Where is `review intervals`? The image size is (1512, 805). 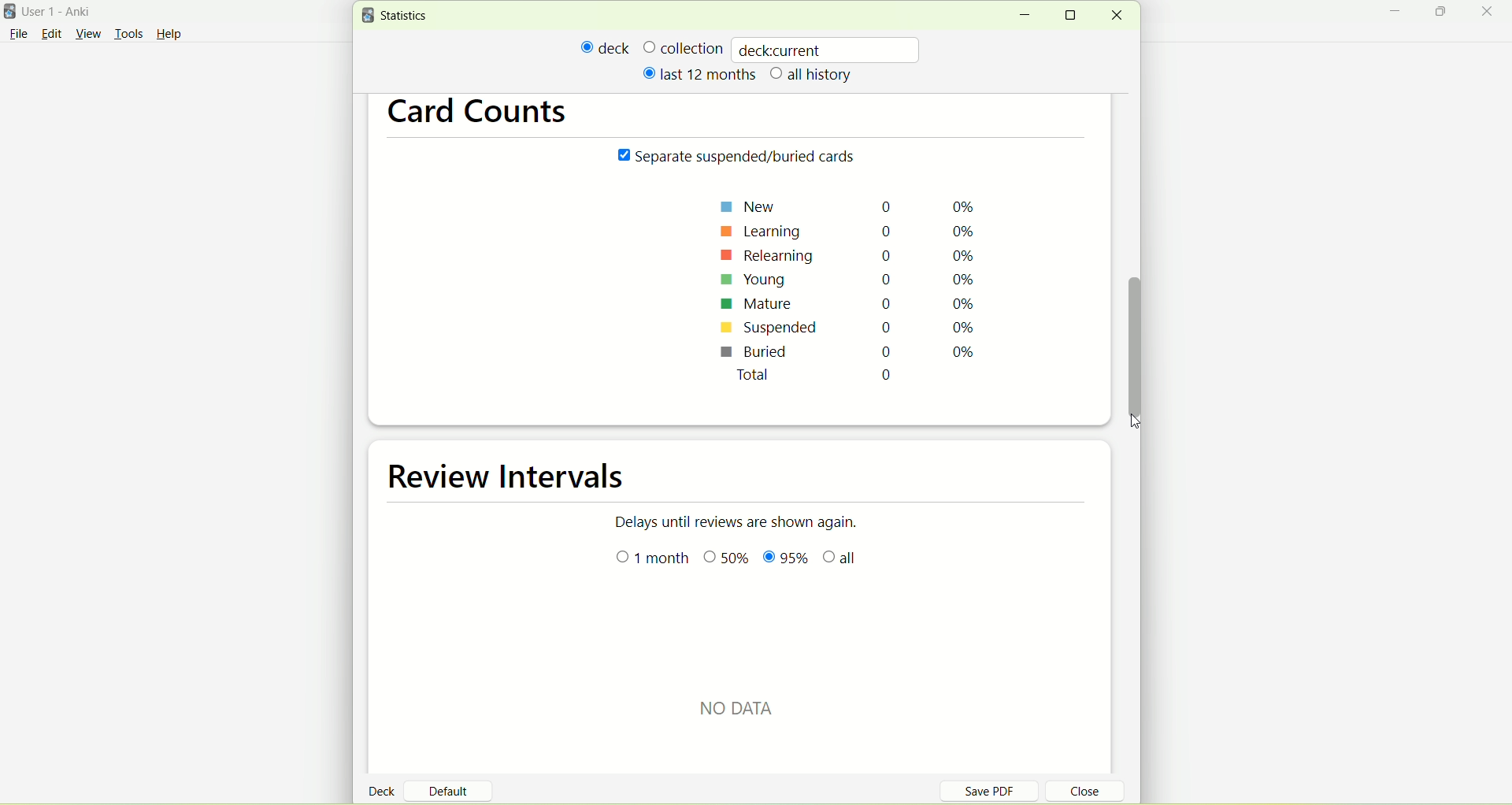 review intervals is located at coordinates (518, 478).